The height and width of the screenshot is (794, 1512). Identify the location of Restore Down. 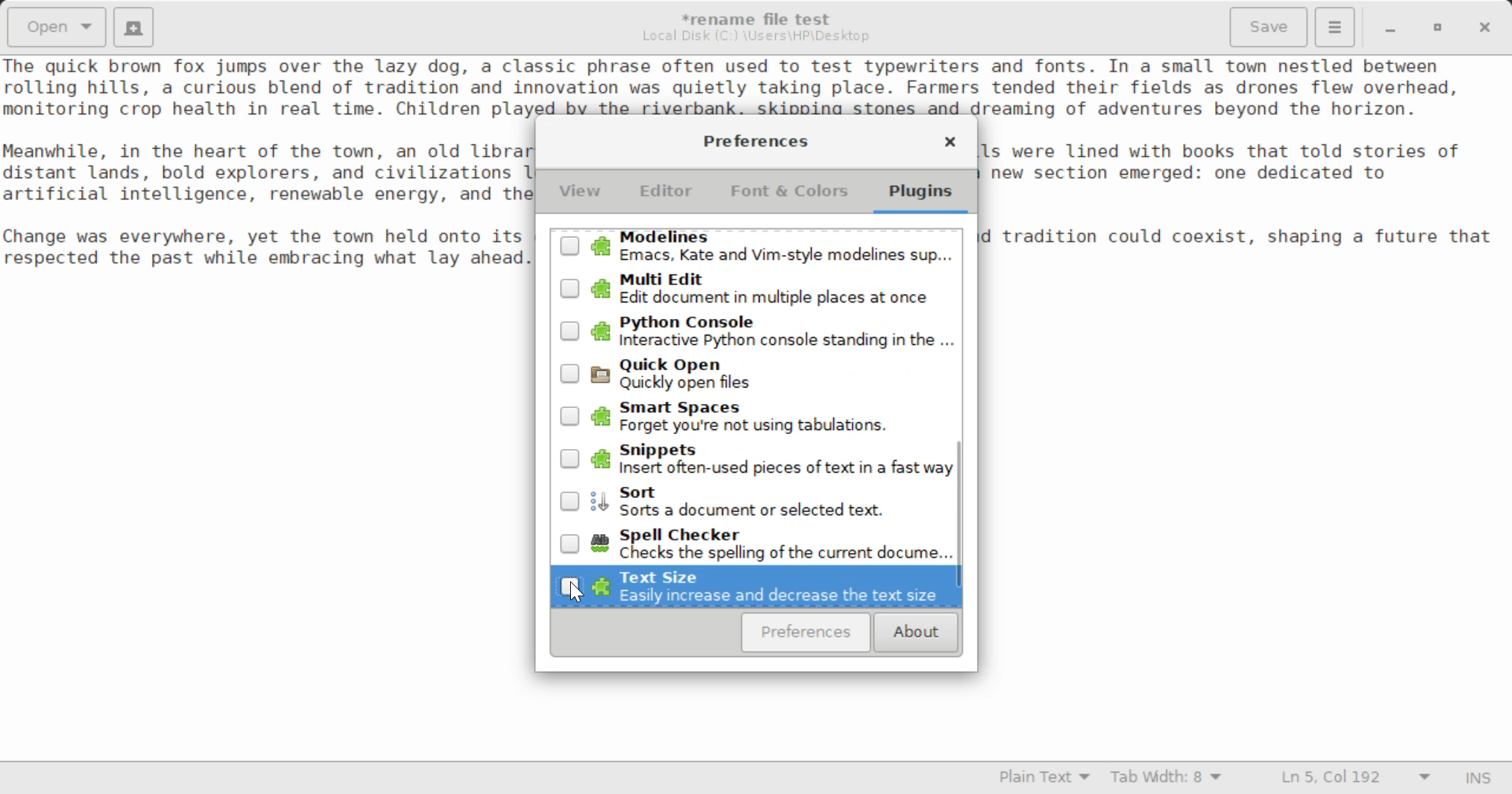
(1388, 28).